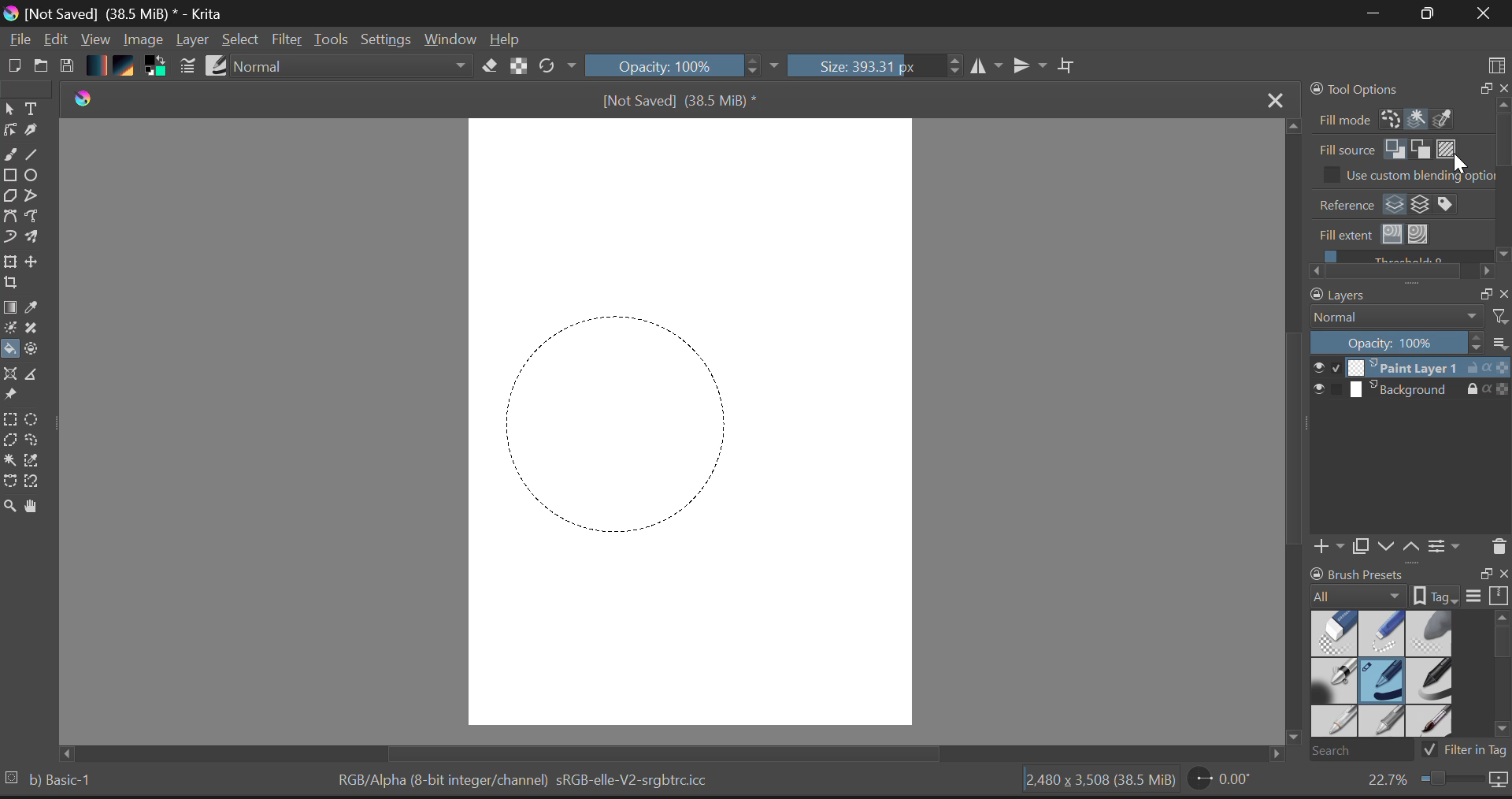 This screenshot has width=1512, height=799. Describe the element at coordinates (11, 199) in the screenshot. I see `Polygon` at that location.